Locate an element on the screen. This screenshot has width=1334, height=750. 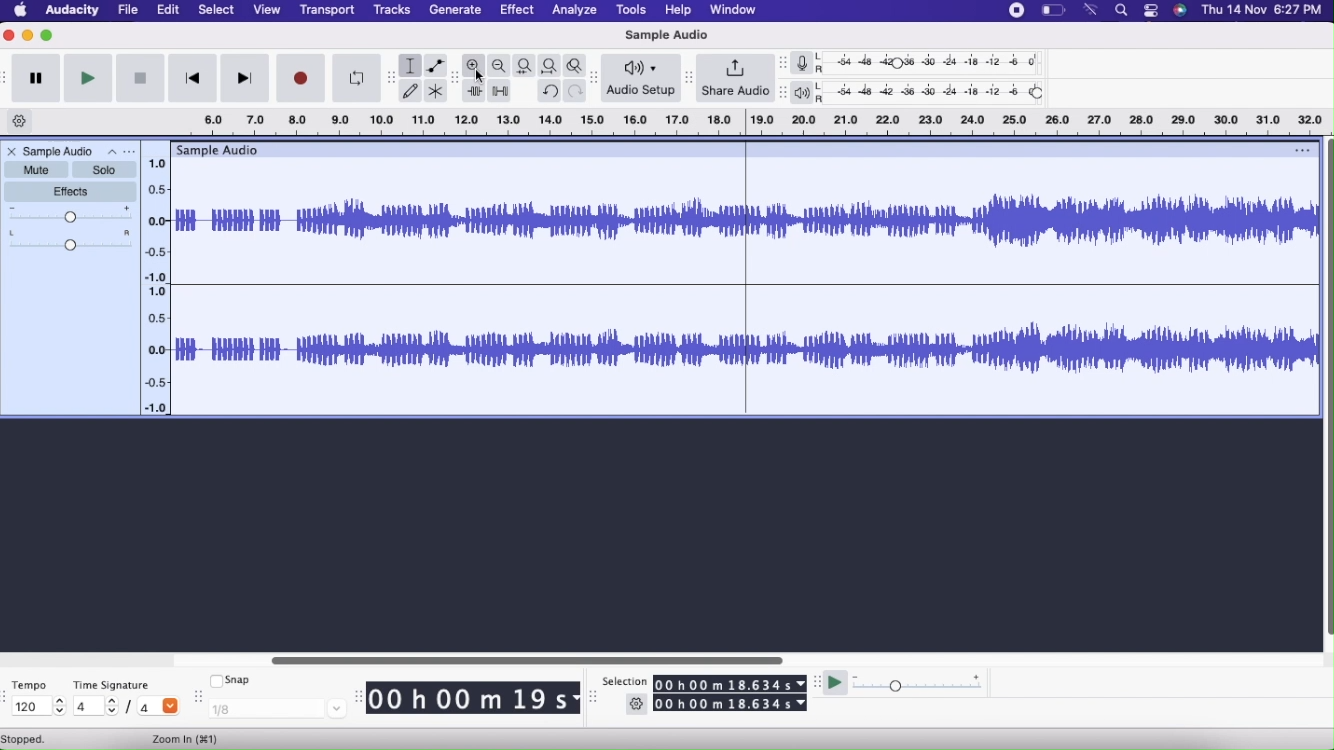
click and drag to define looping region is located at coordinates (741, 123).